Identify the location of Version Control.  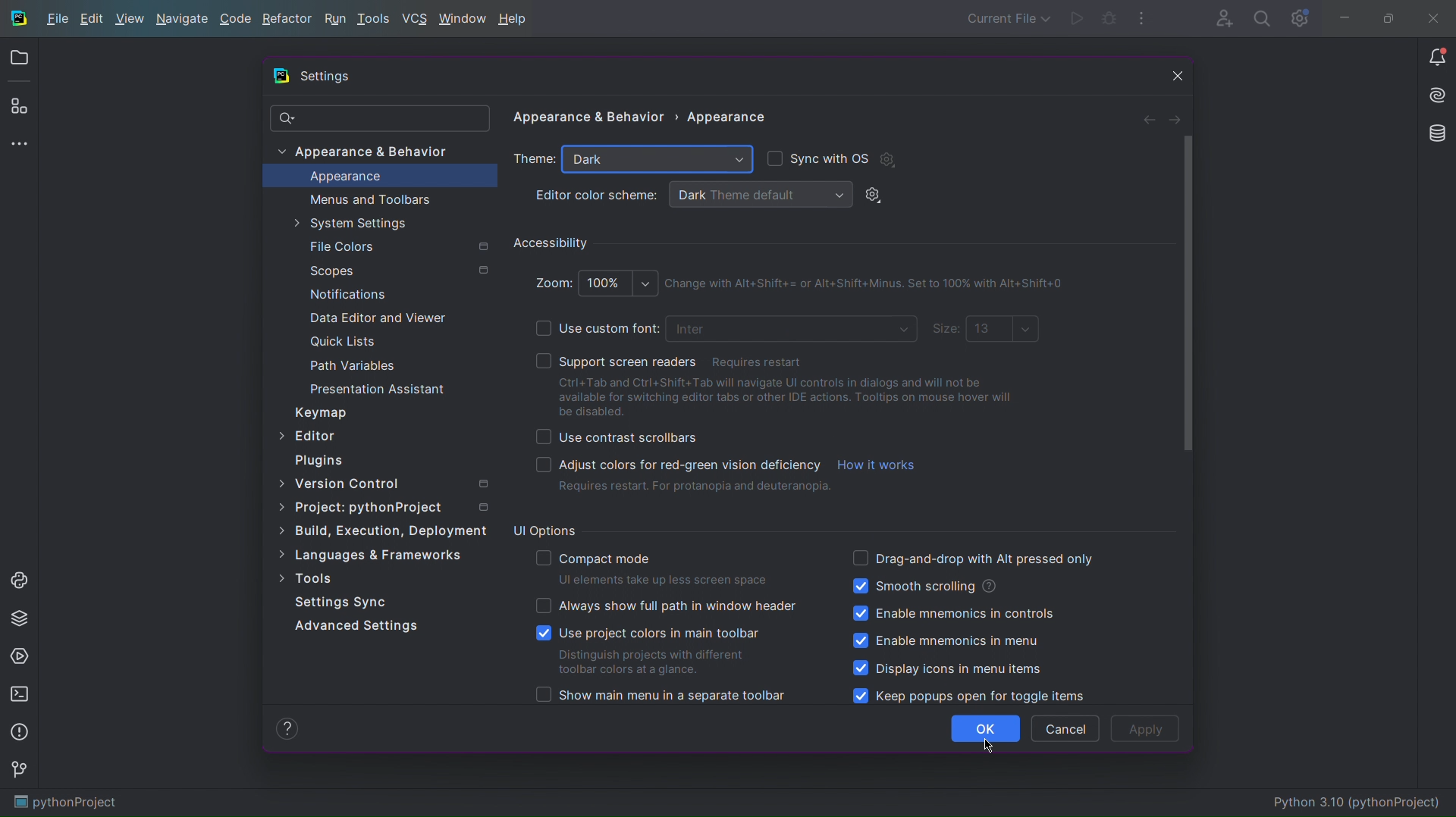
(391, 481).